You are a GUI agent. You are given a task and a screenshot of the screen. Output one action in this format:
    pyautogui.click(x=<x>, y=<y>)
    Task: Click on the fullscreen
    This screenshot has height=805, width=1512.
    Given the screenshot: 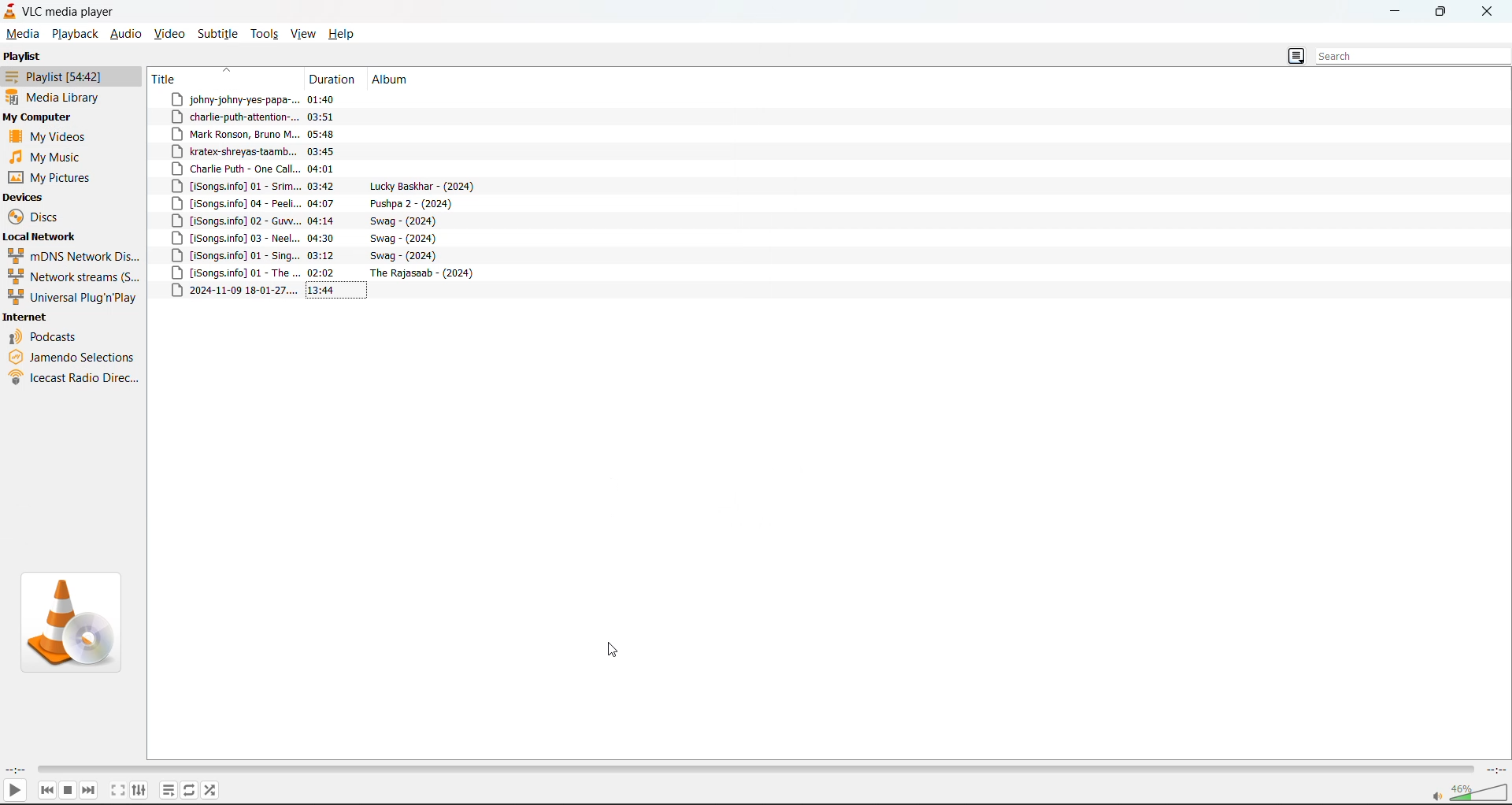 What is the action you would take?
    pyautogui.click(x=118, y=790)
    